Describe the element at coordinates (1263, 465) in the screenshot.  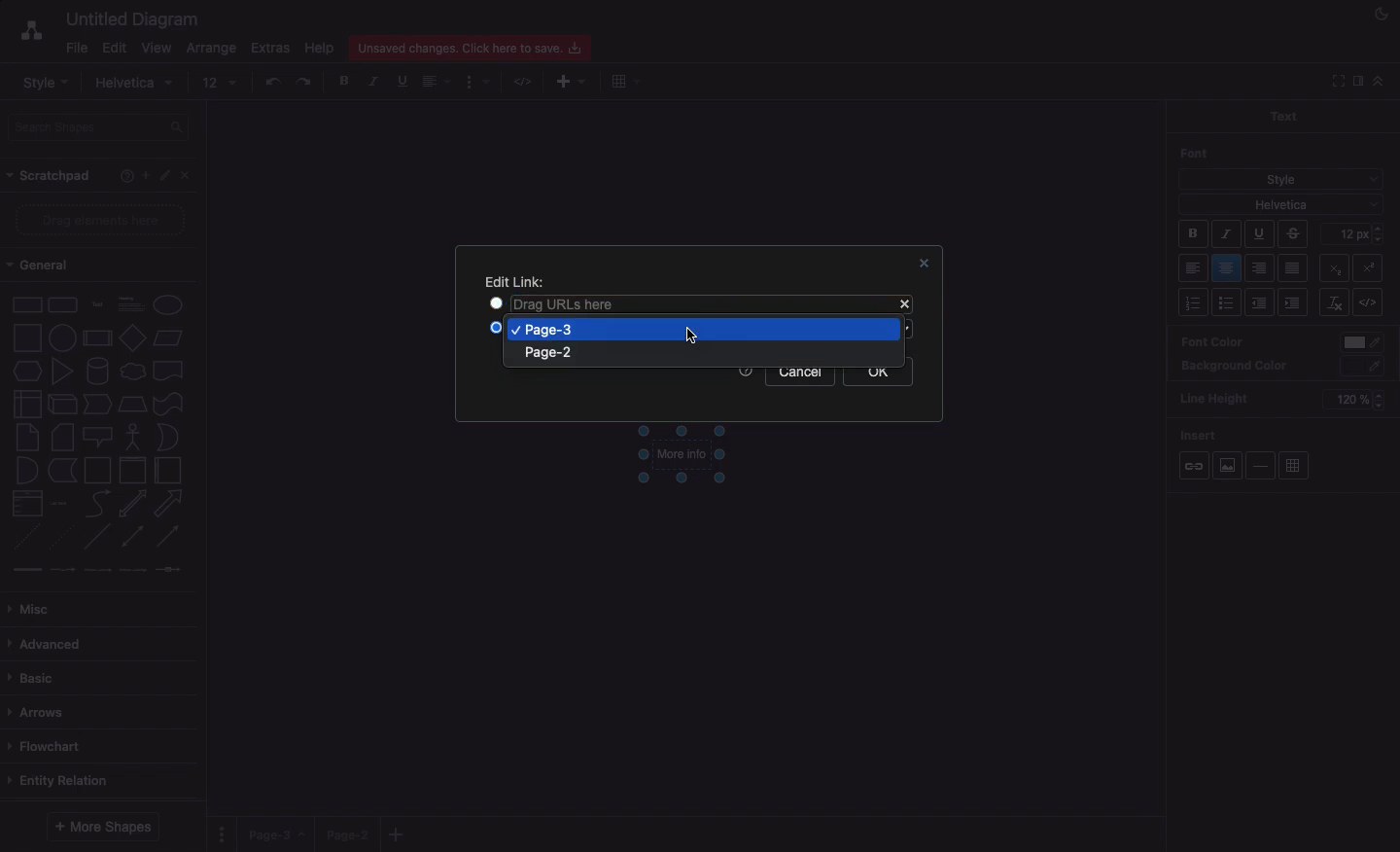
I see `Horizontal` at that location.